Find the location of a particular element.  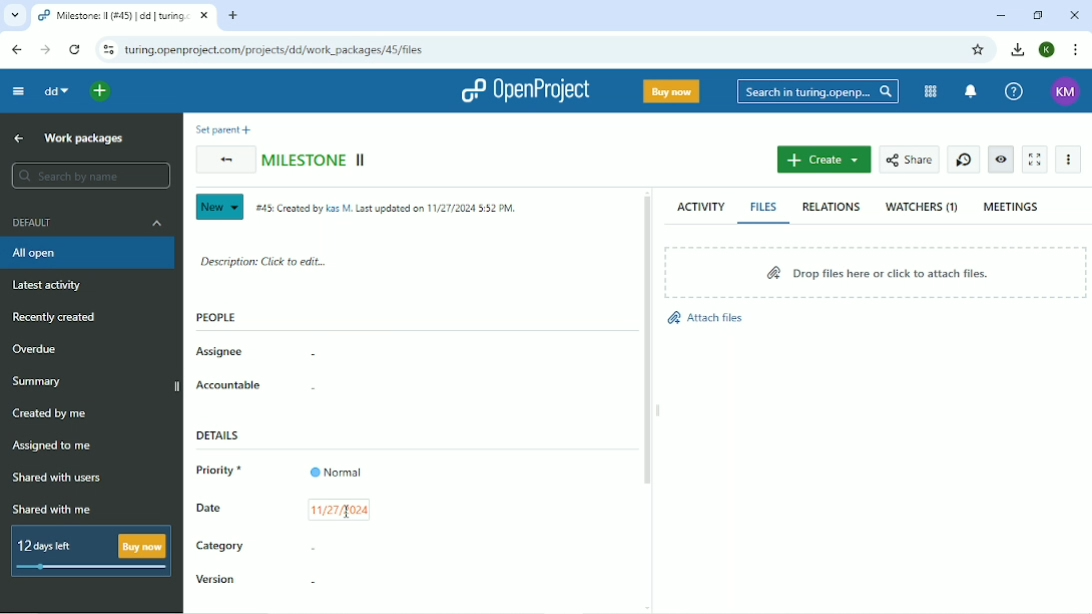

Files is located at coordinates (764, 206).